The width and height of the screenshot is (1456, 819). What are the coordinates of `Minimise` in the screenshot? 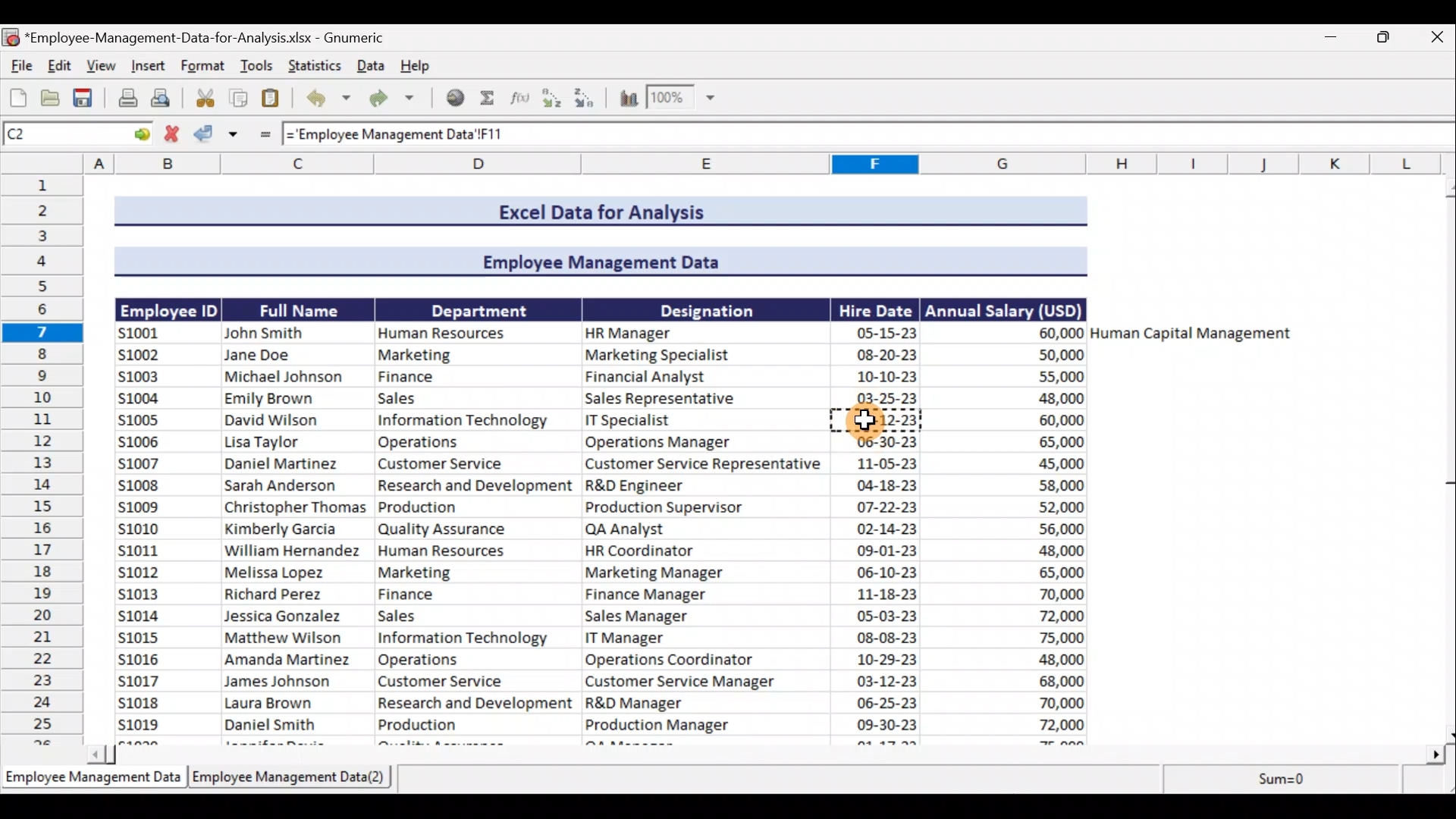 It's located at (1332, 36).